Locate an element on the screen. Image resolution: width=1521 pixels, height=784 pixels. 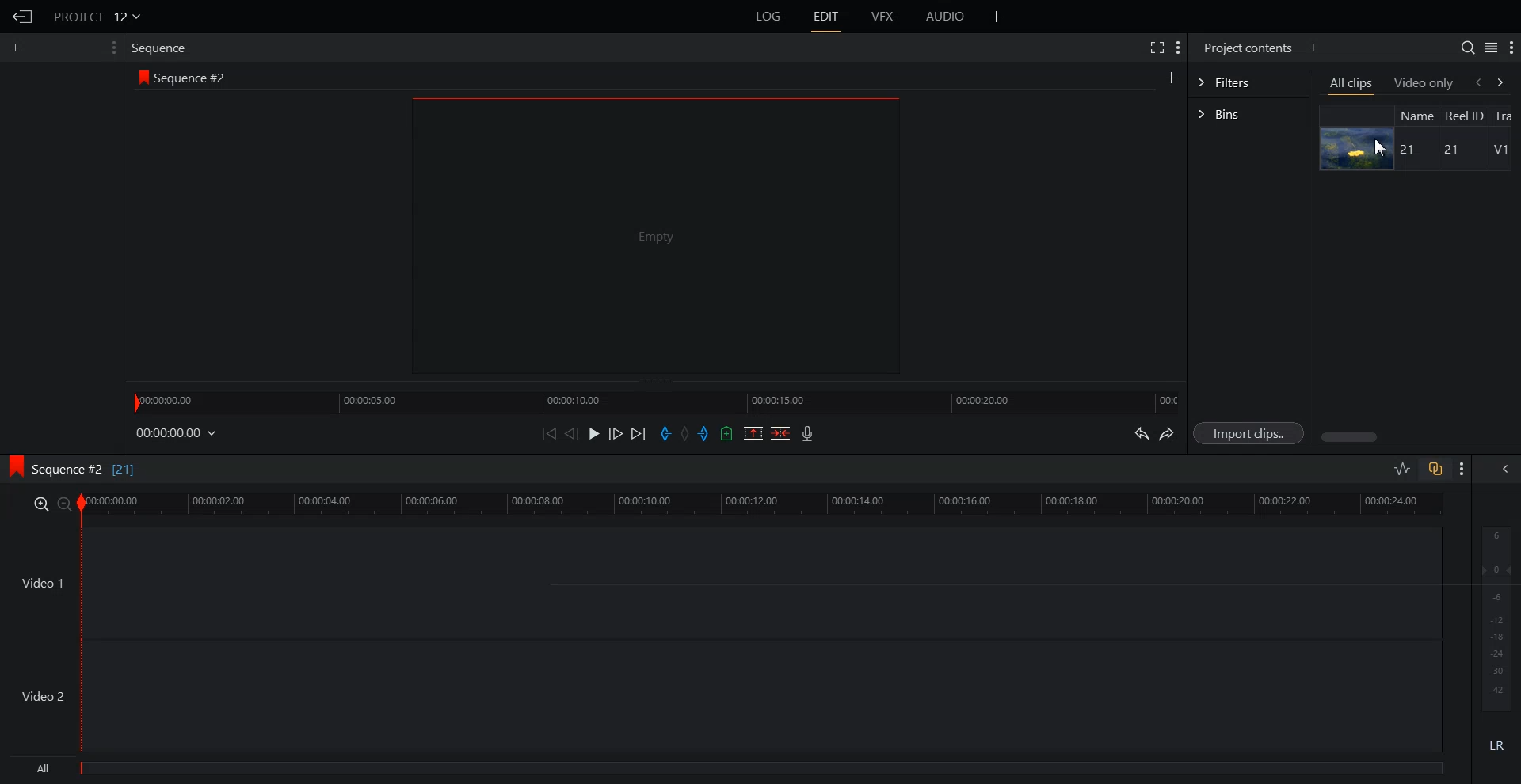
Toggle audio level editing is located at coordinates (1403, 468).